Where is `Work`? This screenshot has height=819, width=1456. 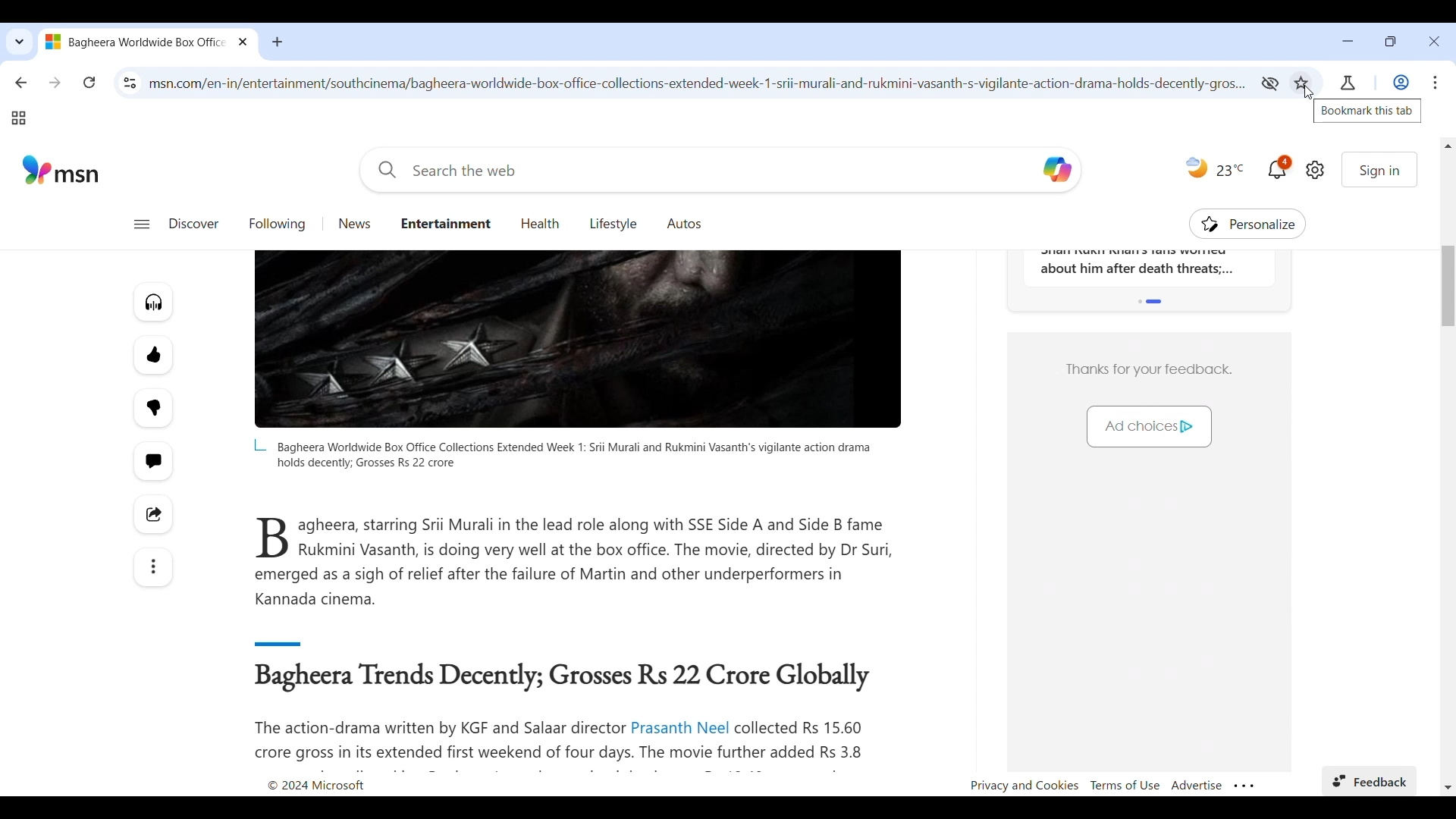 Work is located at coordinates (1401, 83).